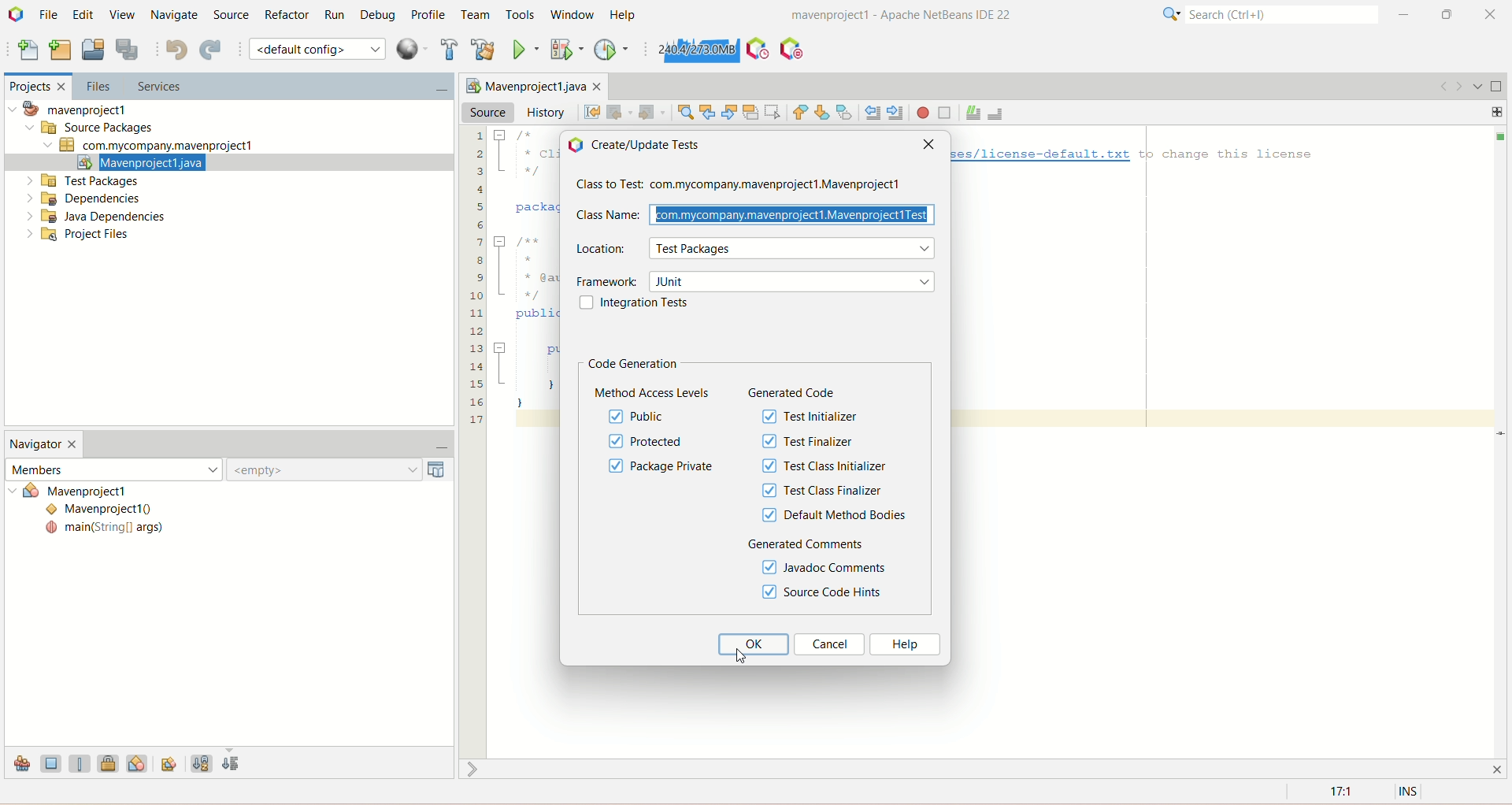 The image size is (1512, 805). Describe the element at coordinates (617, 113) in the screenshot. I see `back` at that location.